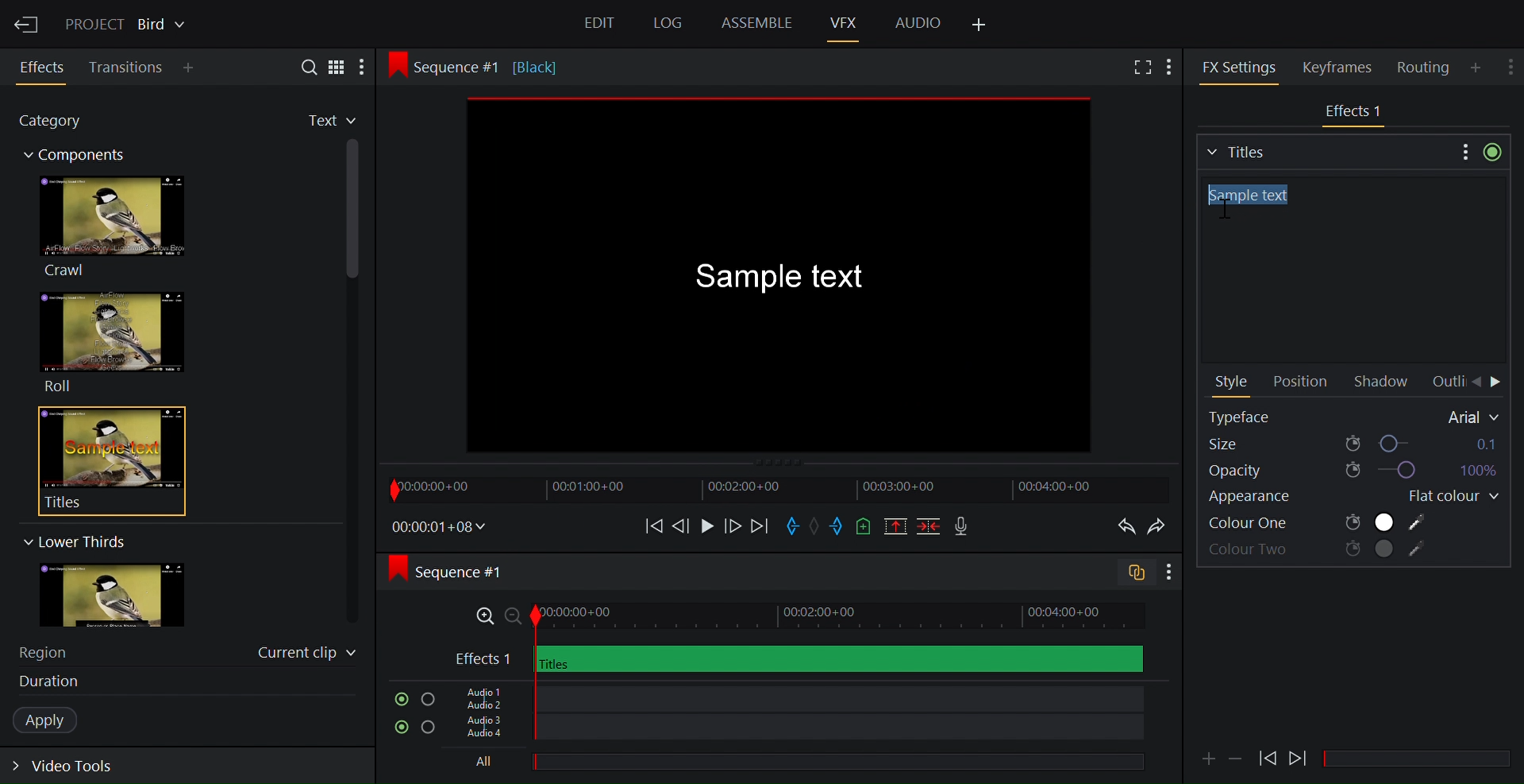  I want to click on Clear marks, so click(817, 525).